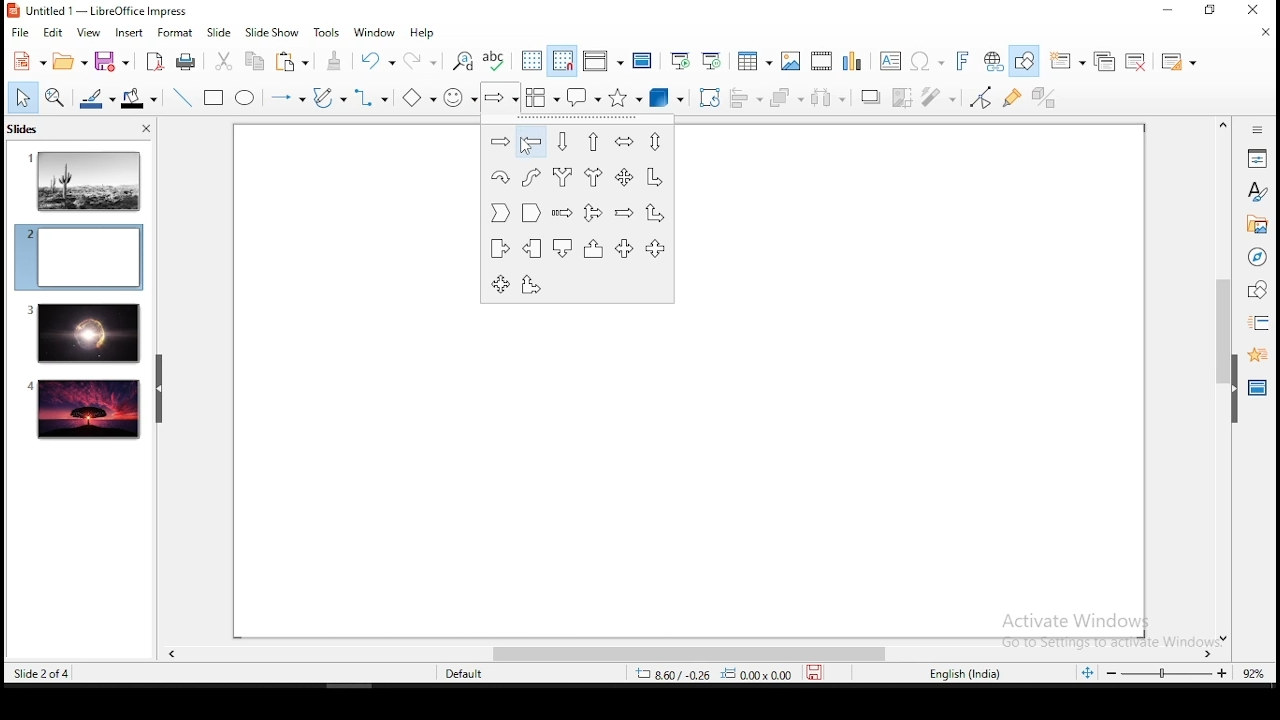 Image resolution: width=1280 pixels, height=720 pixels. What do you see at coordinates (710, 98) in the screenshot?
I see `crop tool` at bounding box center [710, 98].